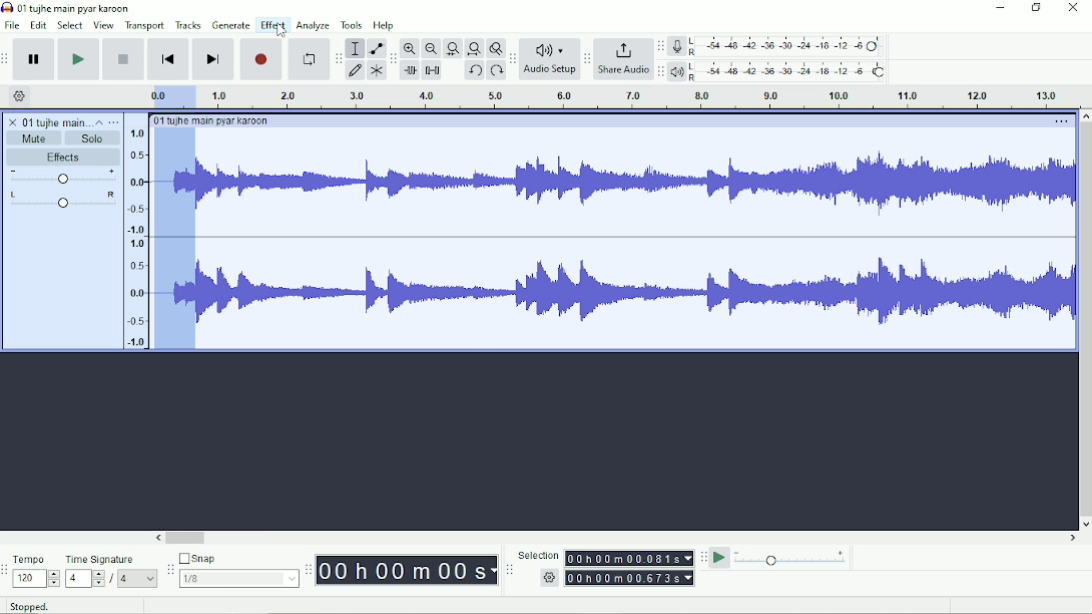 This screenshot has height=614, width=1092. What do you see at coordinates (352, 25) in the screenshot?
I see `Tools` at bounding box center [352, 25].